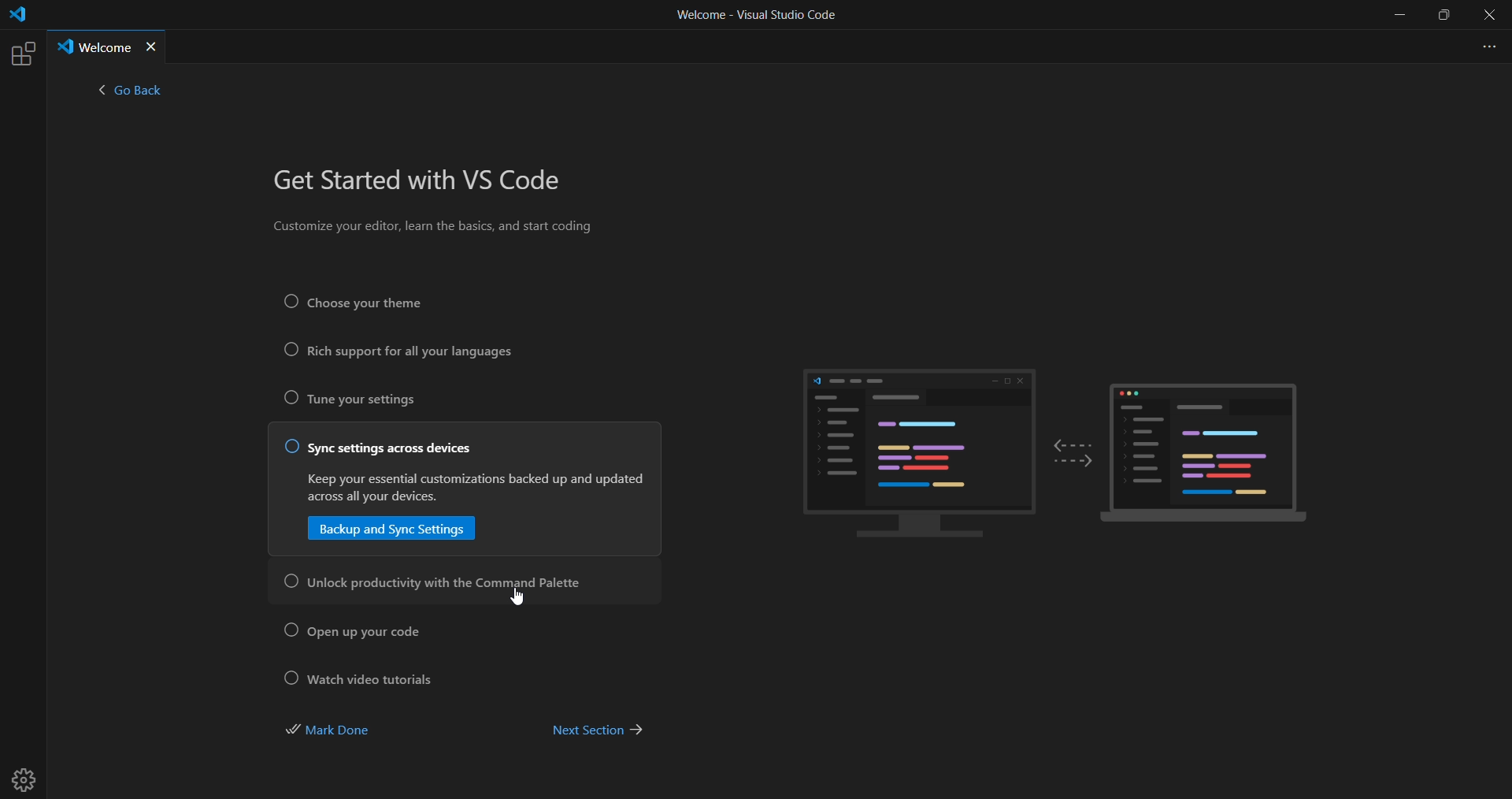 The image size is (1512, 799). Describe the element at coordinates (349, 729) in the screenshot. I see `mark done` at that location.